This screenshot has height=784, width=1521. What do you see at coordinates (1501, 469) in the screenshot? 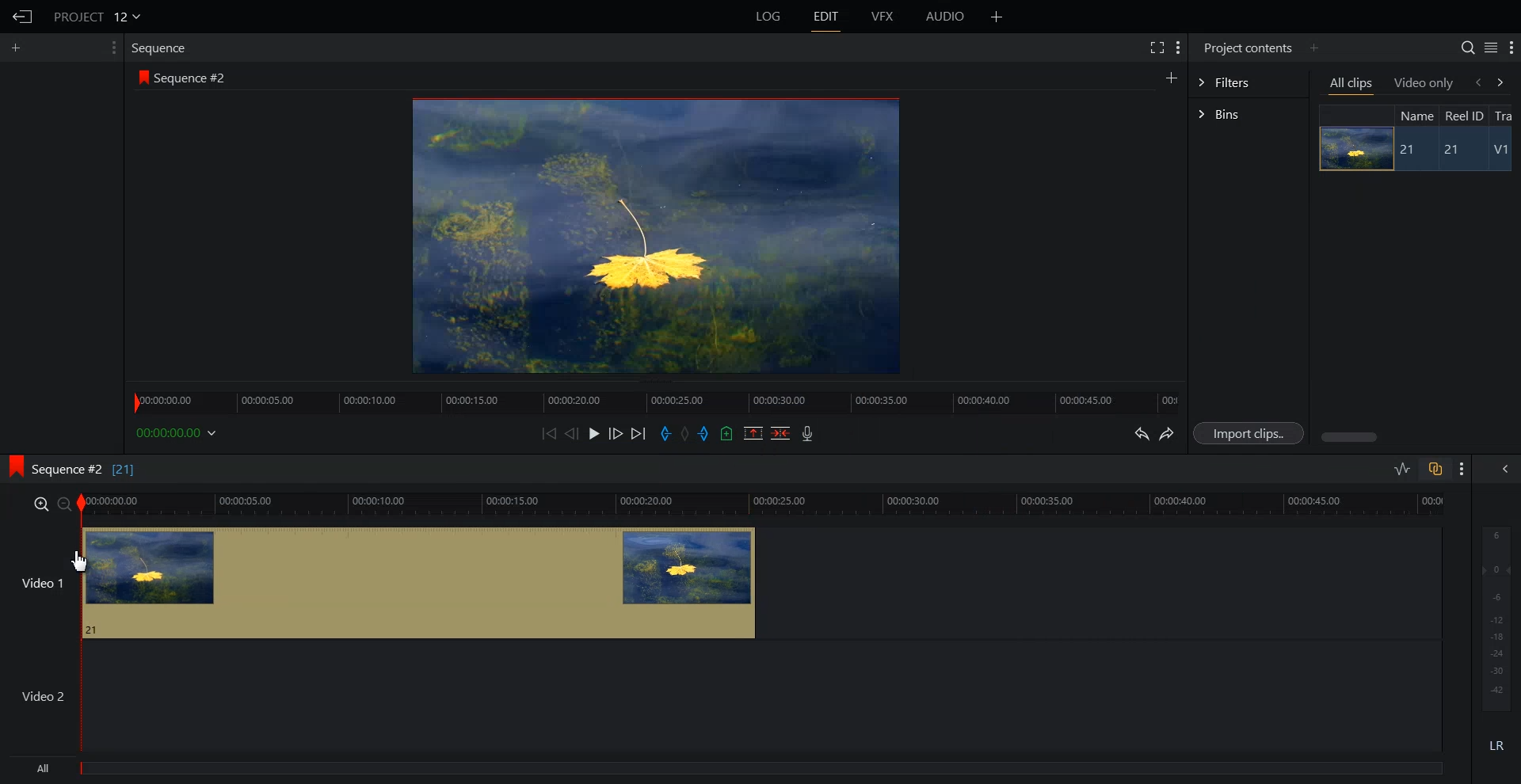
I see `Show the full audio mix` at bounding box center [1501, 469].